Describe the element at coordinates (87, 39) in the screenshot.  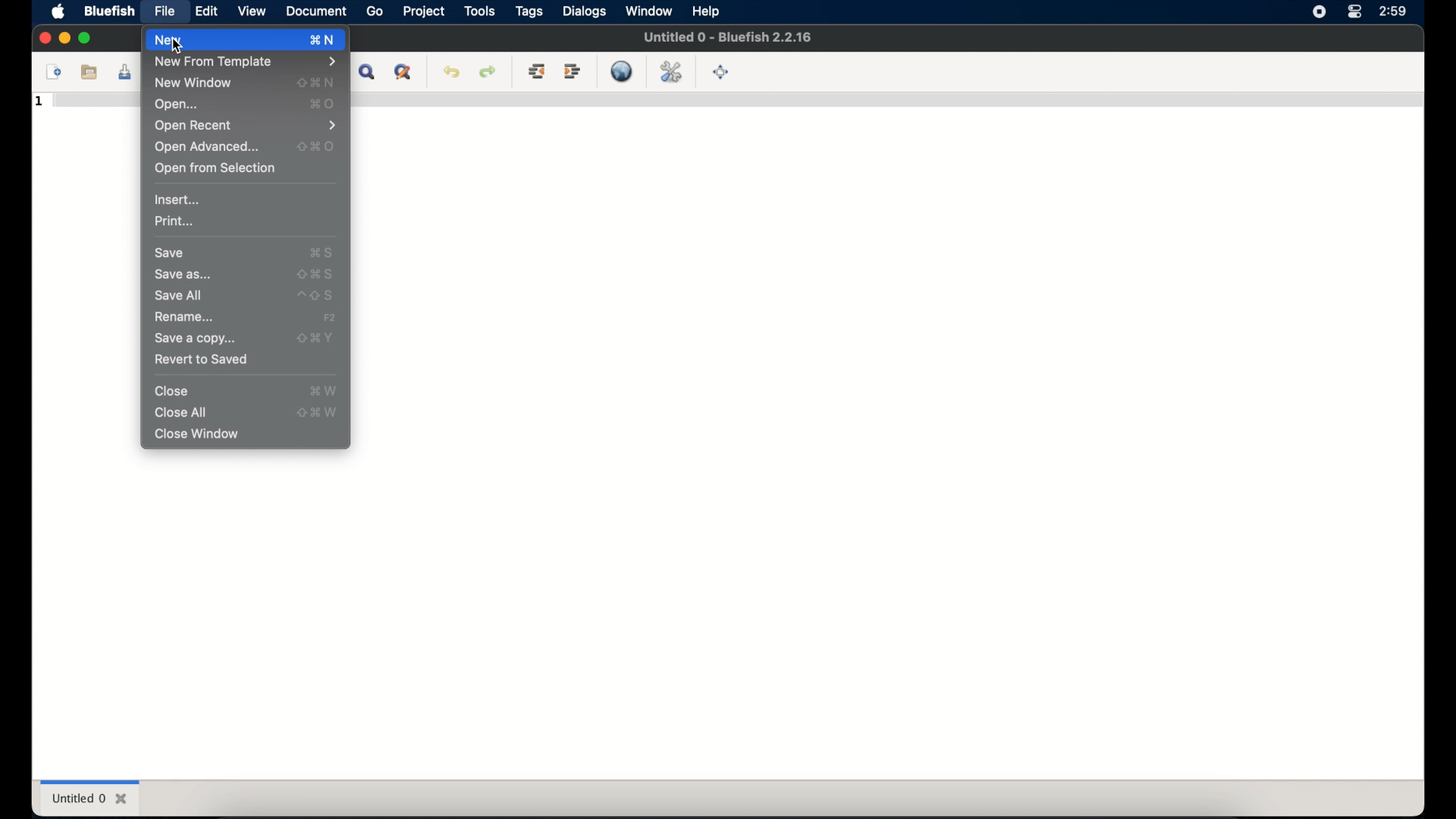
I see `maximize` at that location.